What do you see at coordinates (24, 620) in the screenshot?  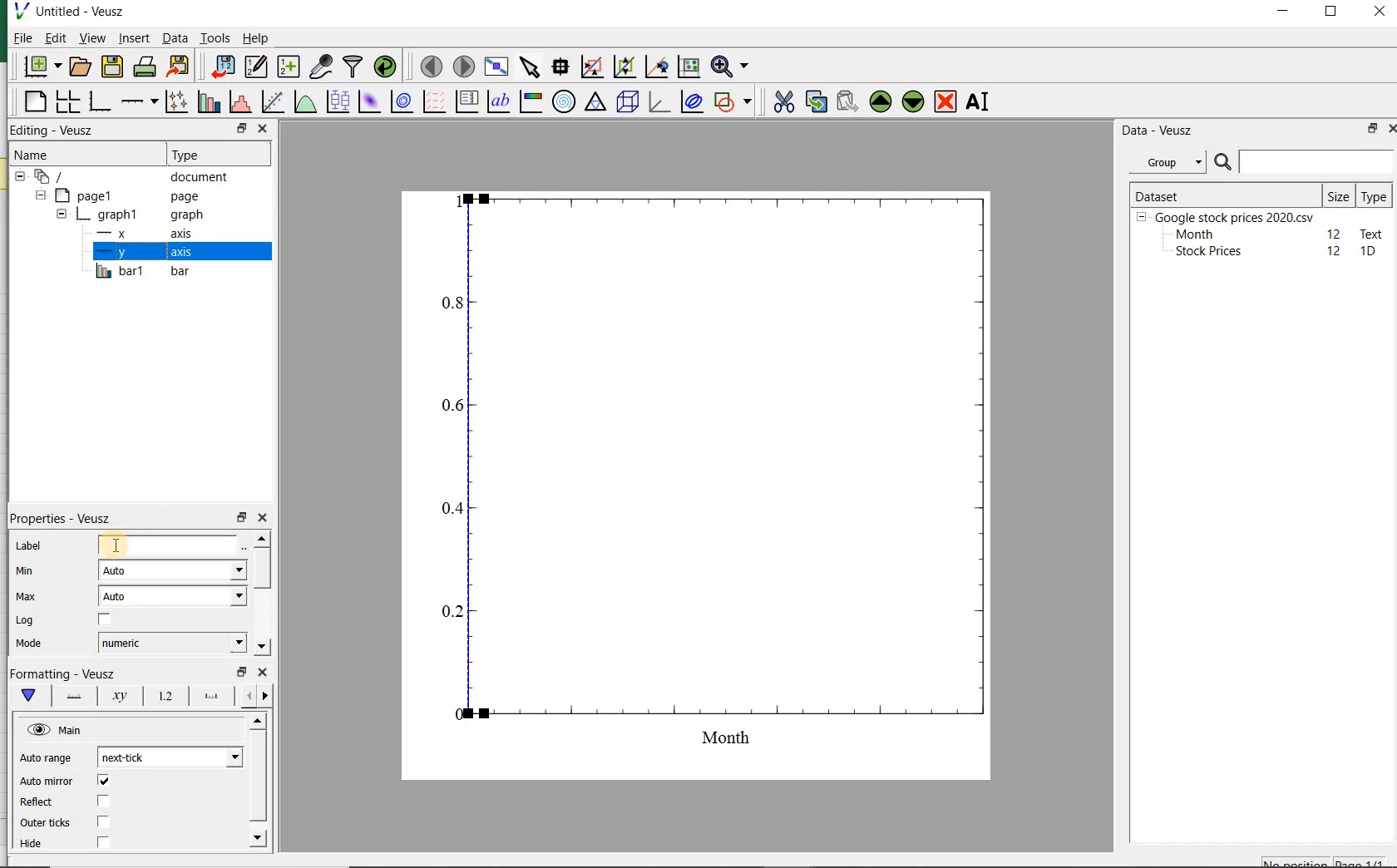 I see `Log` at bounding box center [24, 620].